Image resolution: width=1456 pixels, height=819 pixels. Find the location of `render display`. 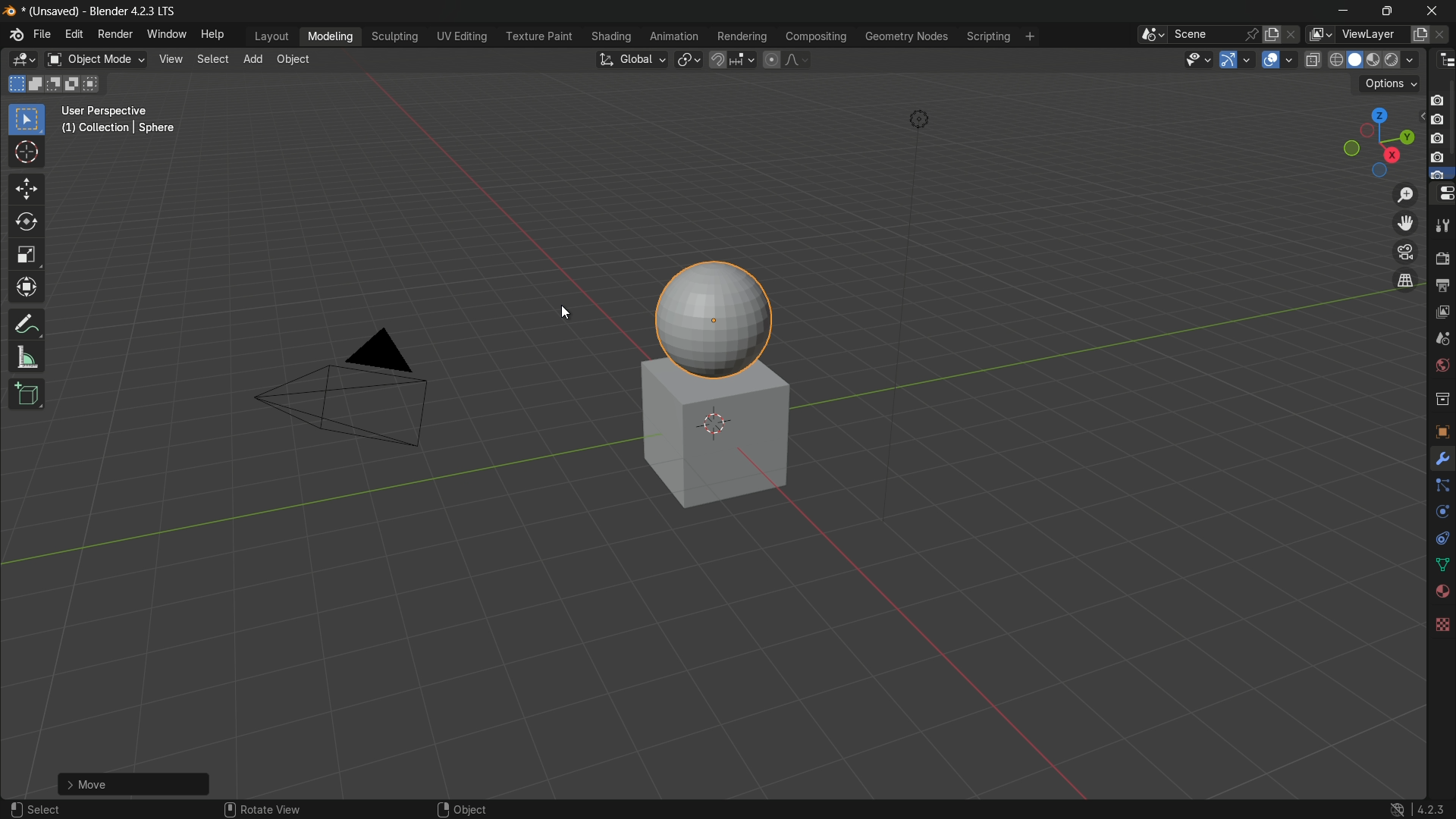

render display is located at coordinates (1401, 58).